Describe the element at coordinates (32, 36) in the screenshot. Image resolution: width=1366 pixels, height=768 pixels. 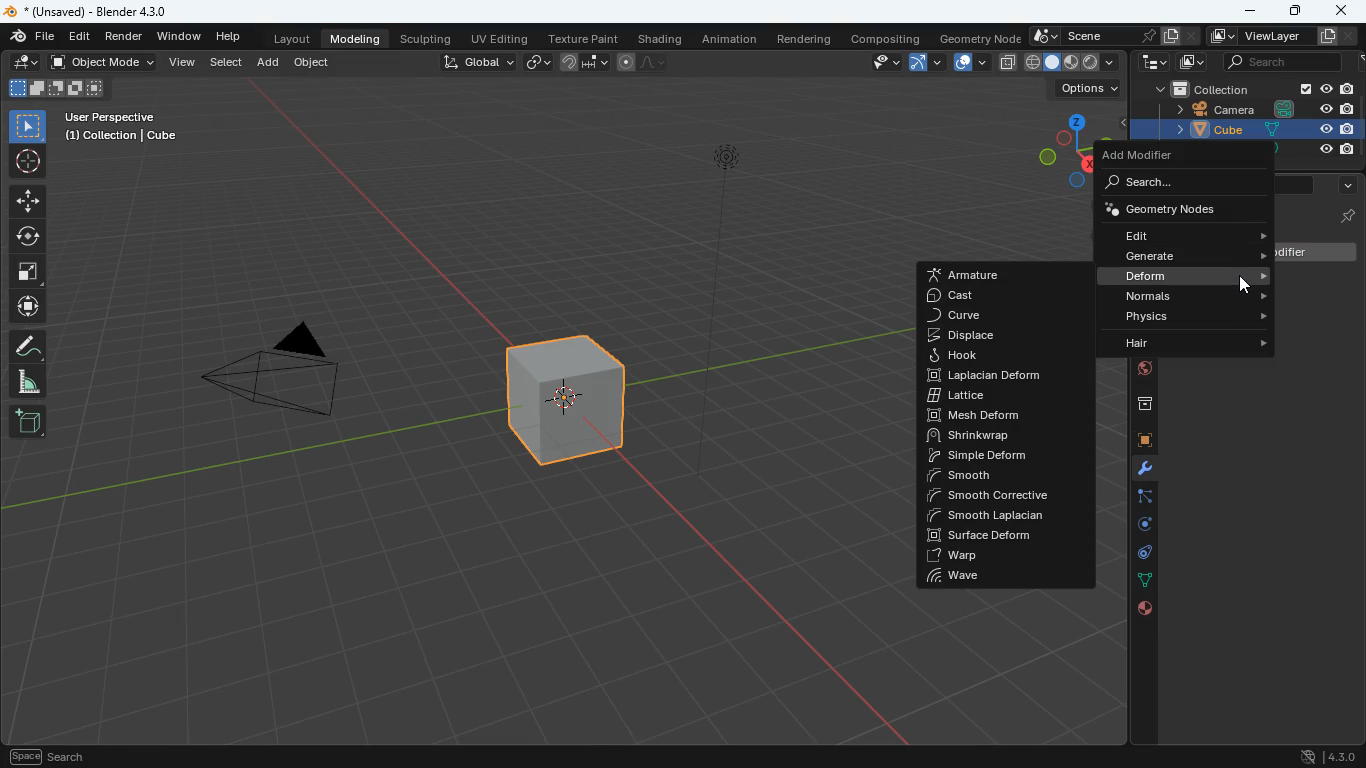
I see `blender` at that location.